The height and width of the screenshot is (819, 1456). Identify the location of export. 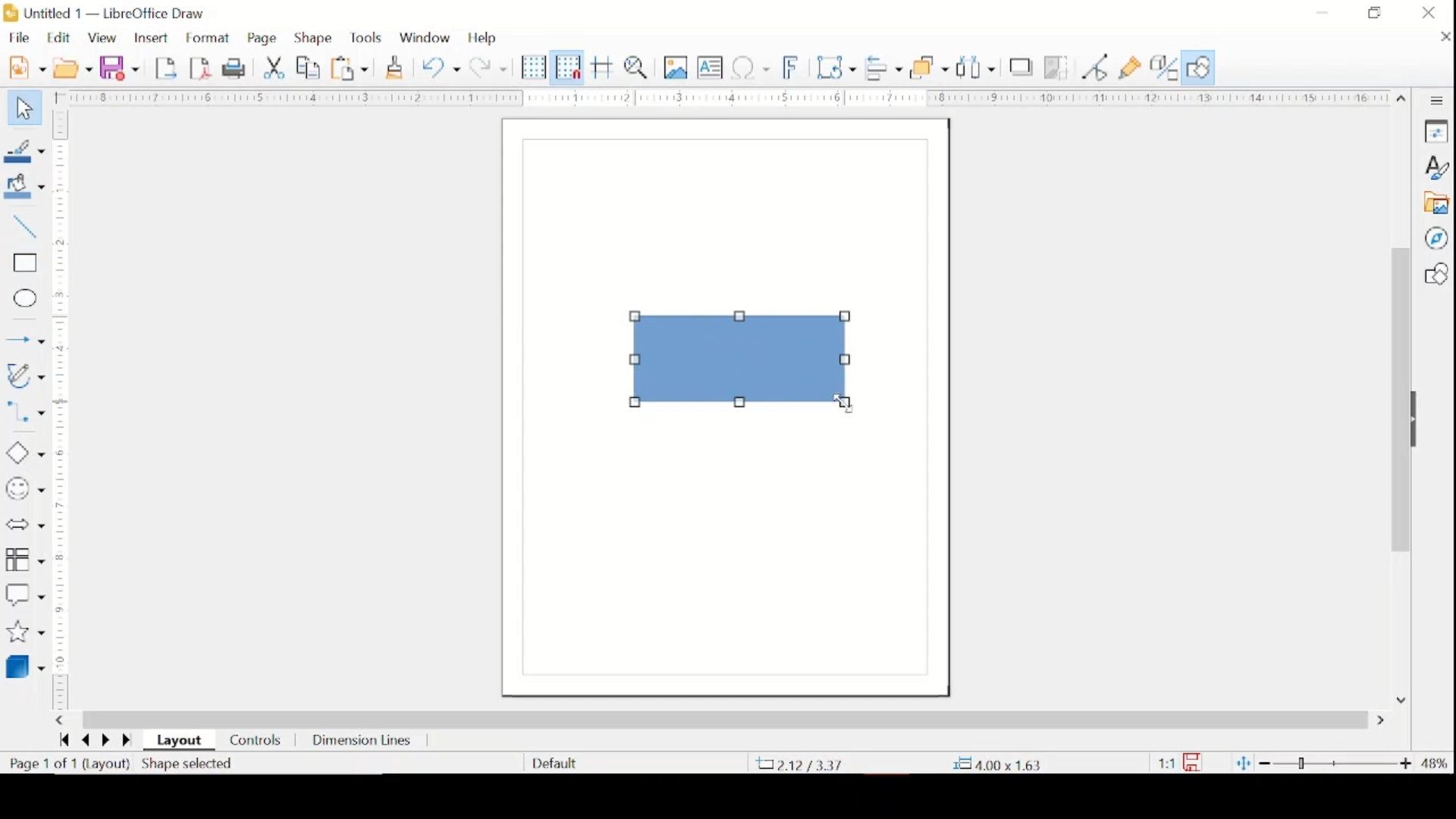
(168, 67).